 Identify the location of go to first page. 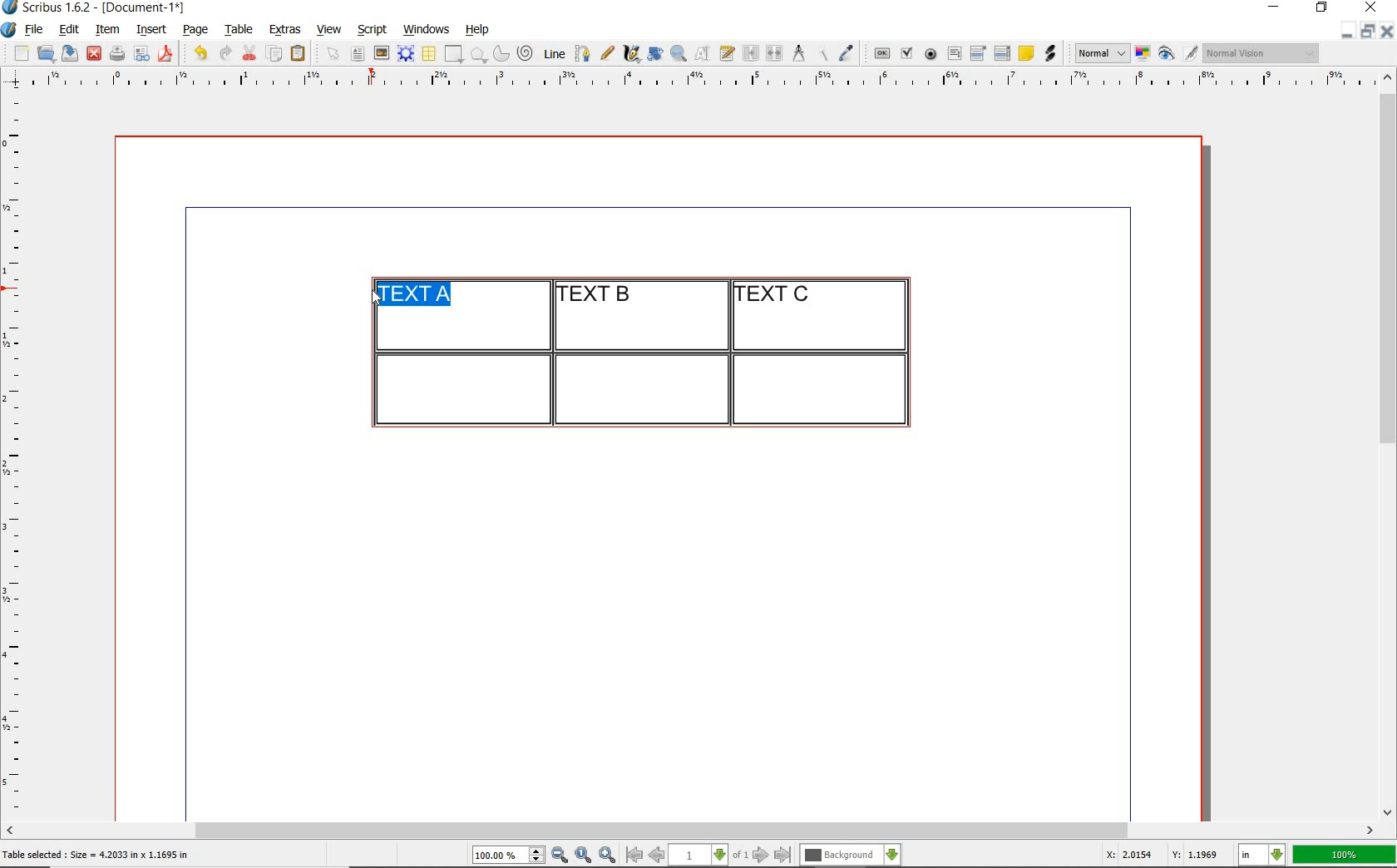
(633, 855).